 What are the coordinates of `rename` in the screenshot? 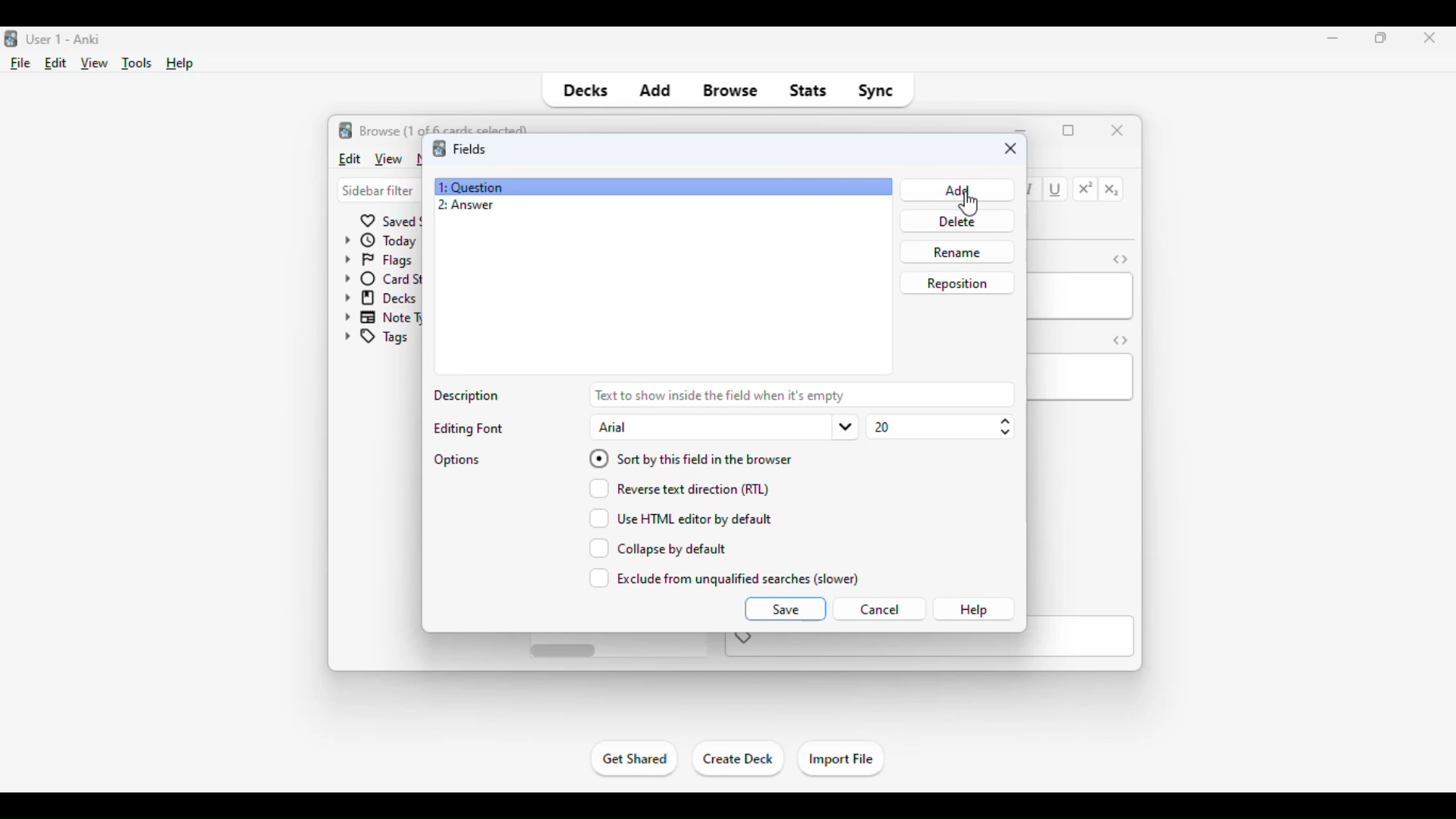 It's located at (956, 252).